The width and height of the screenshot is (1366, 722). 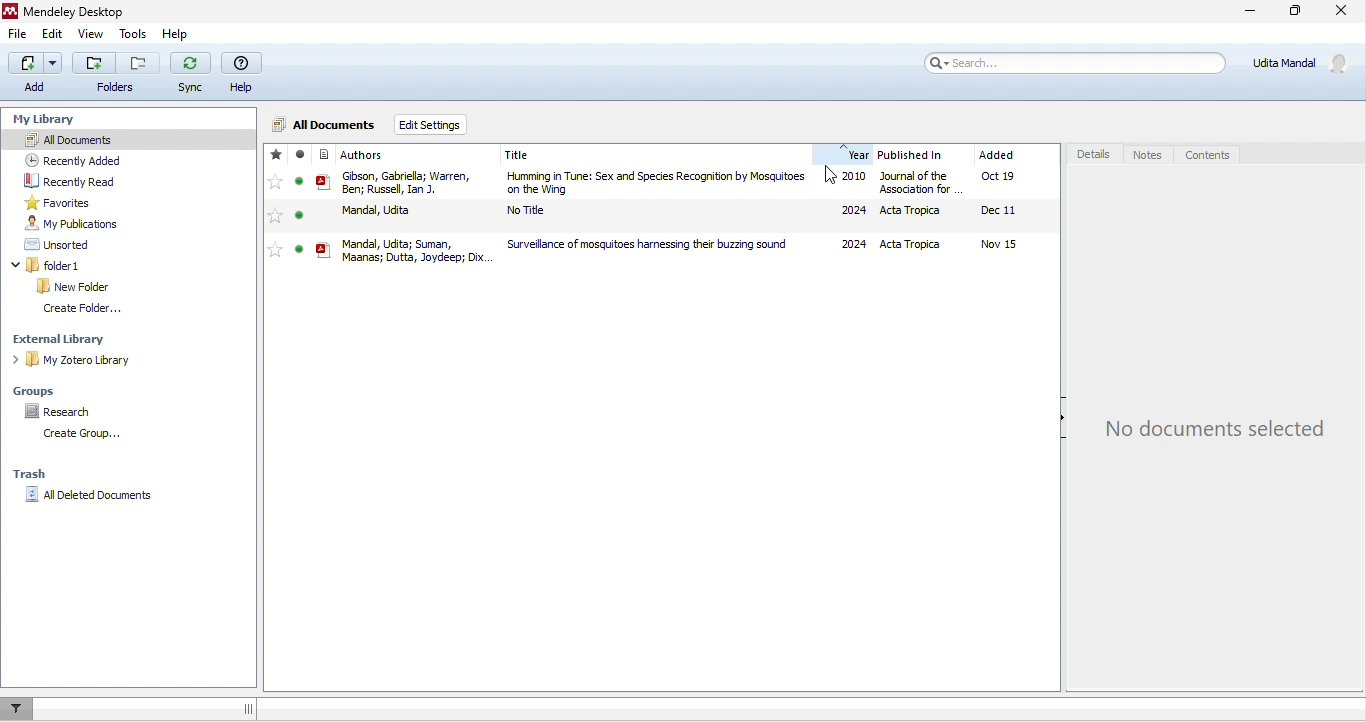 What do you see at coordinates (324, 126) in the screenshot?
I see `all documents` at bounding box center [324, 126].